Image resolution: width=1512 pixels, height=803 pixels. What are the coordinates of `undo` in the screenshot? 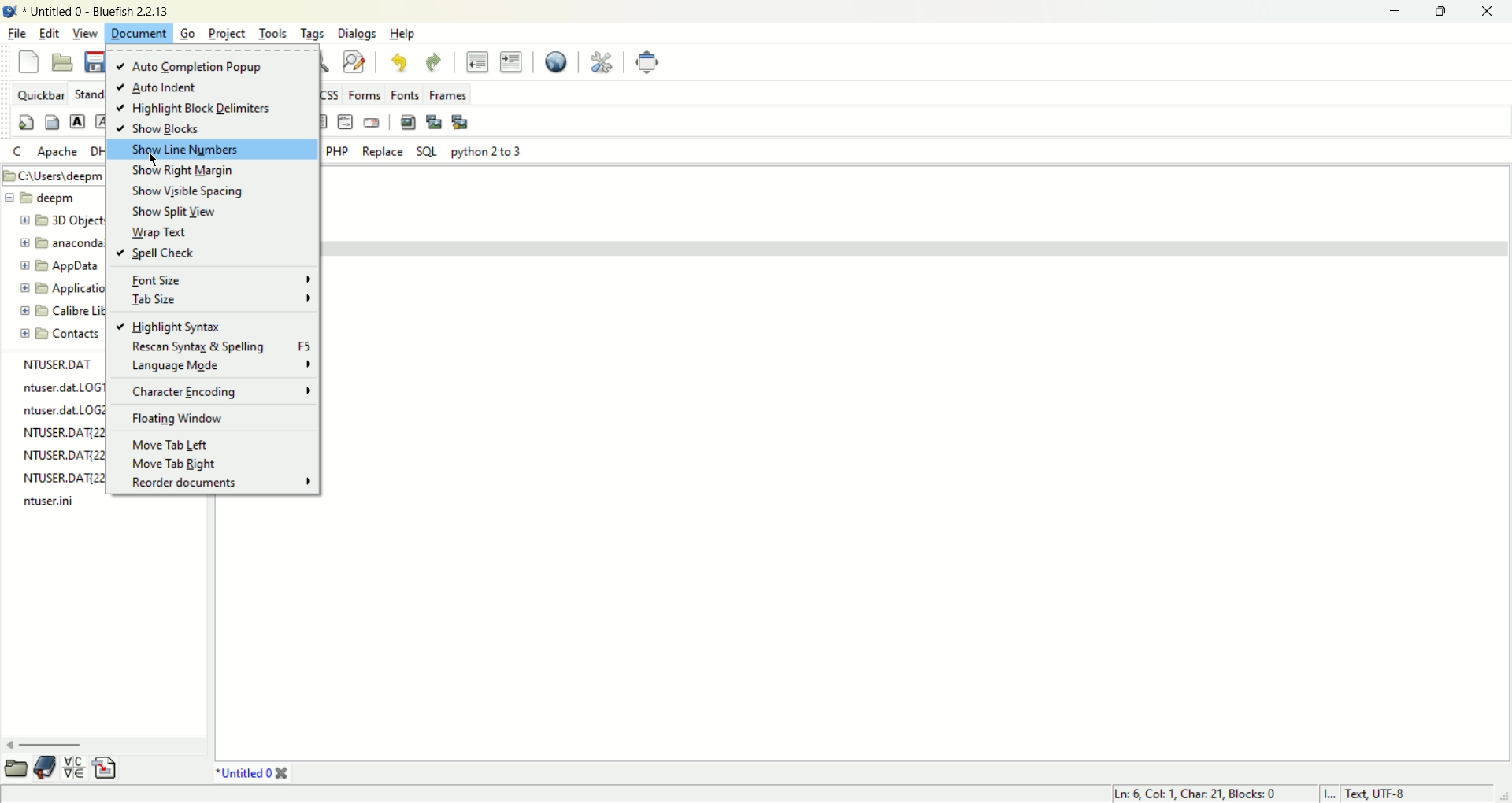 It's located at (398, 63).